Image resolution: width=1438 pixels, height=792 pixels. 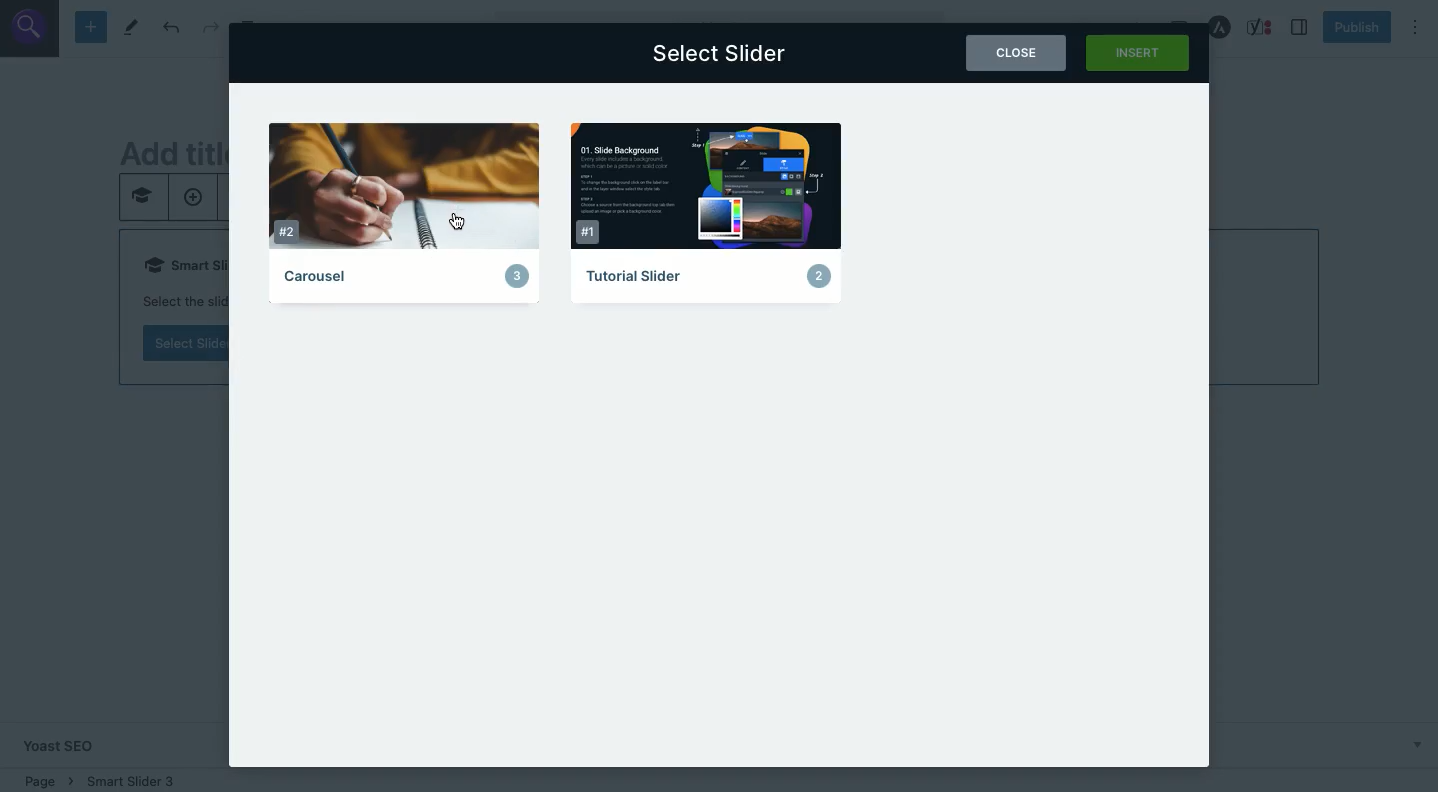 What do you see at coordinates (1415, 27) in the screenshot?
I see `Options` at bounding box center [1415, 27].